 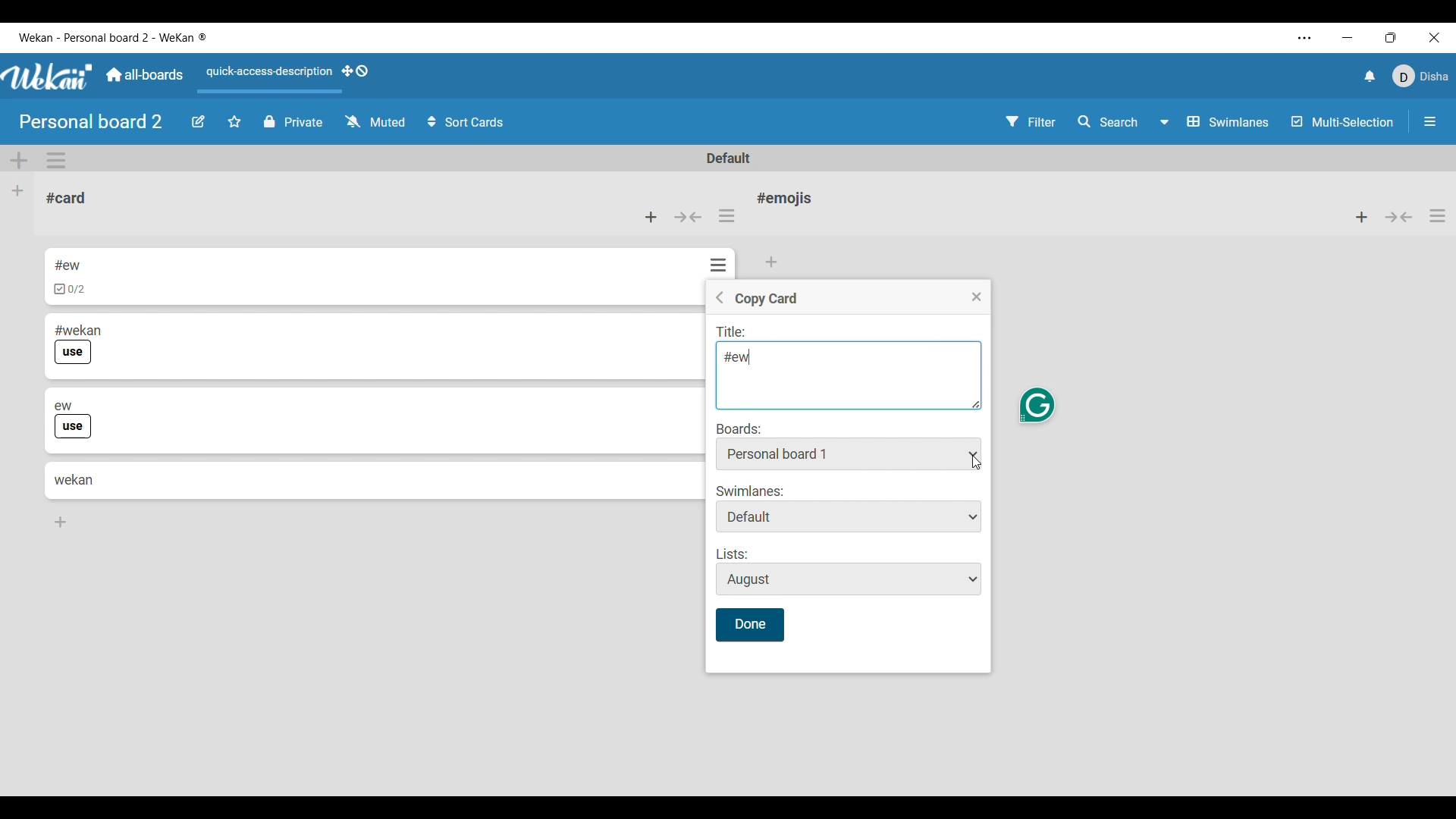 I want to click on Goback, so click(x=719, y=297).